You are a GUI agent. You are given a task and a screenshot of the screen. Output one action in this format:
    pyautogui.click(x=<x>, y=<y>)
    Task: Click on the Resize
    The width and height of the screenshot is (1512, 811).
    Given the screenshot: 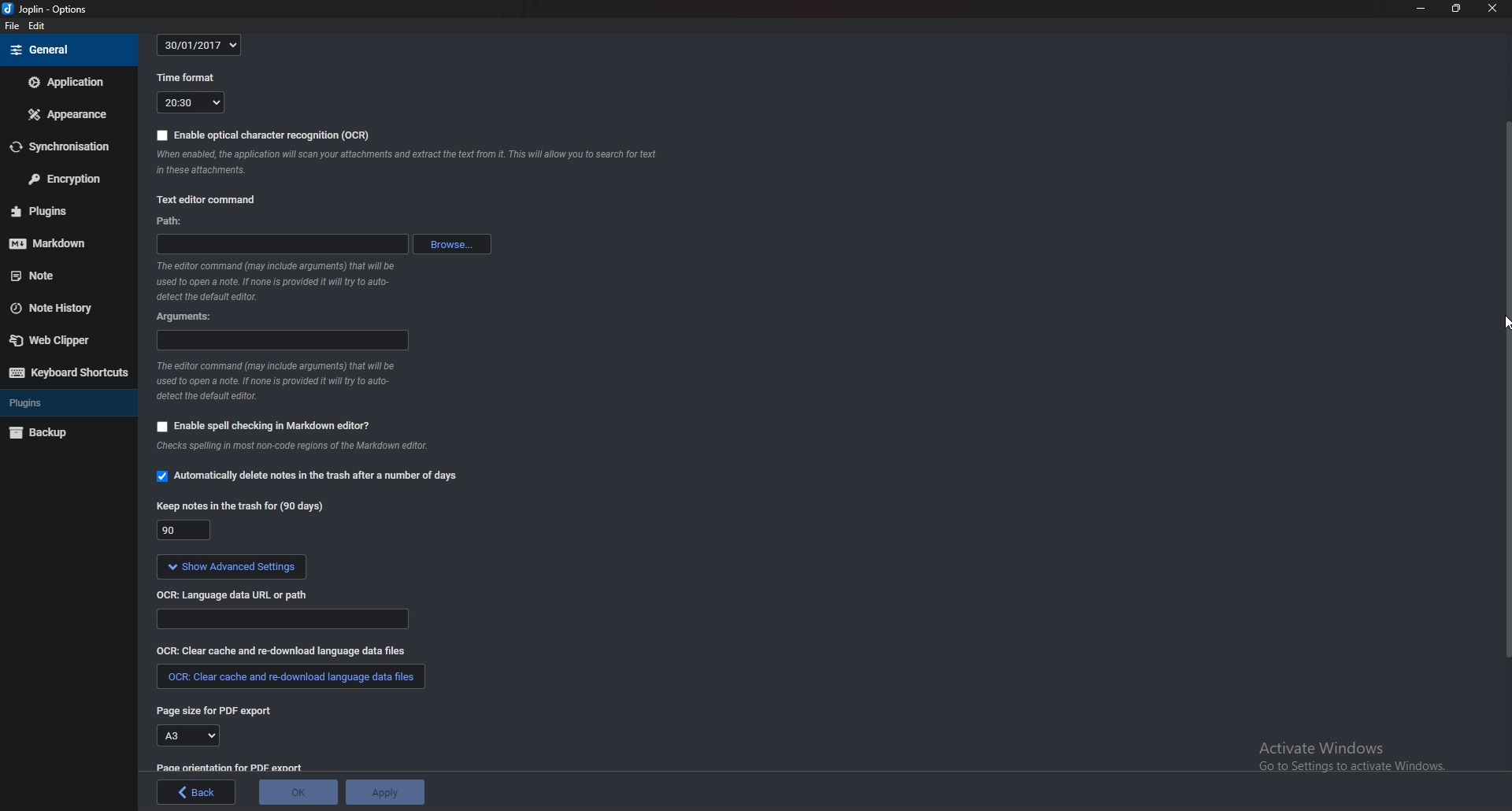 What is the action you would take?
    pyautogui.click(x=1457, y=8)
    